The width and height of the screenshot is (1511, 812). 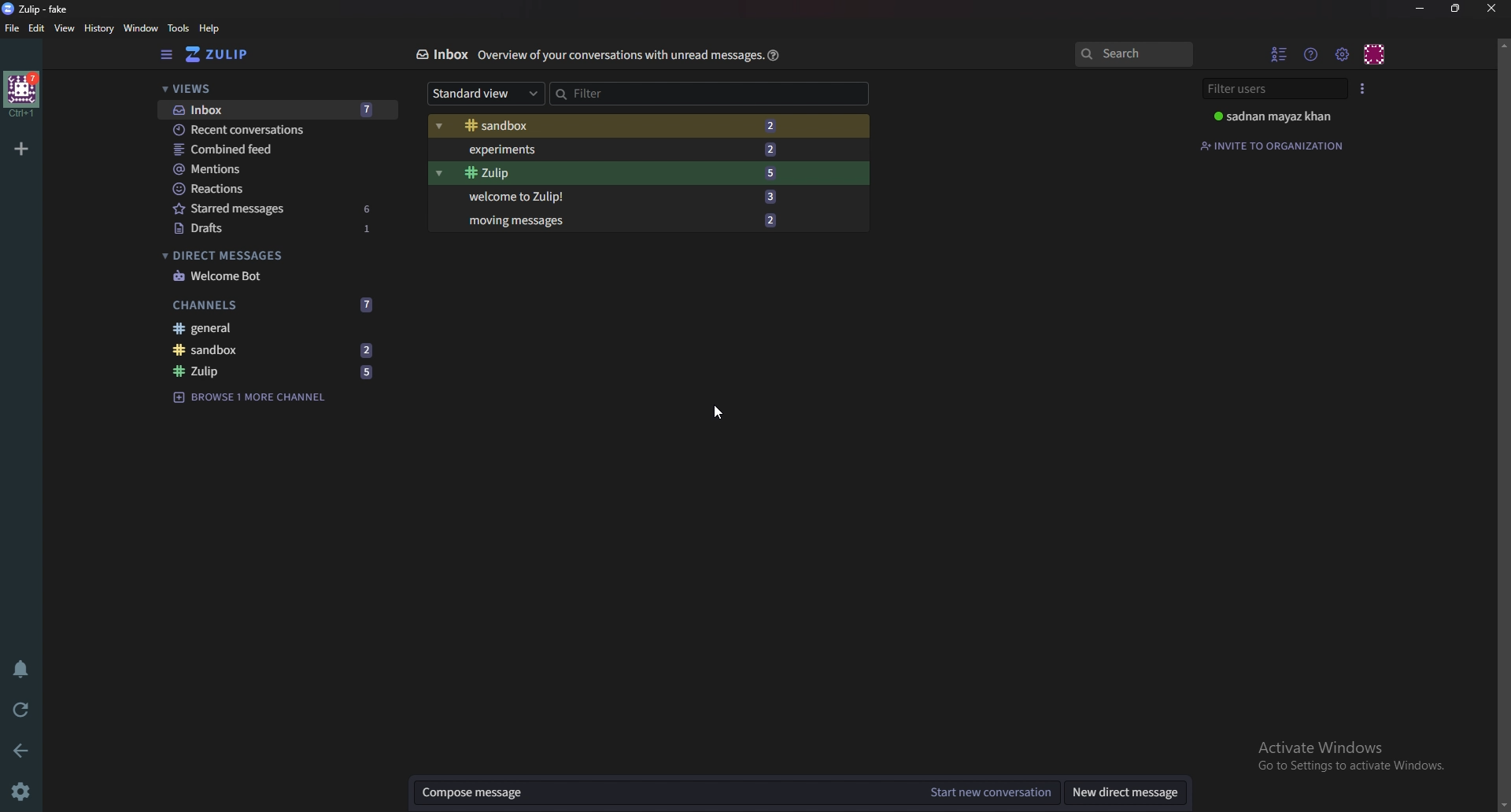 I want to click on Tools, so click(x=179, y=28).